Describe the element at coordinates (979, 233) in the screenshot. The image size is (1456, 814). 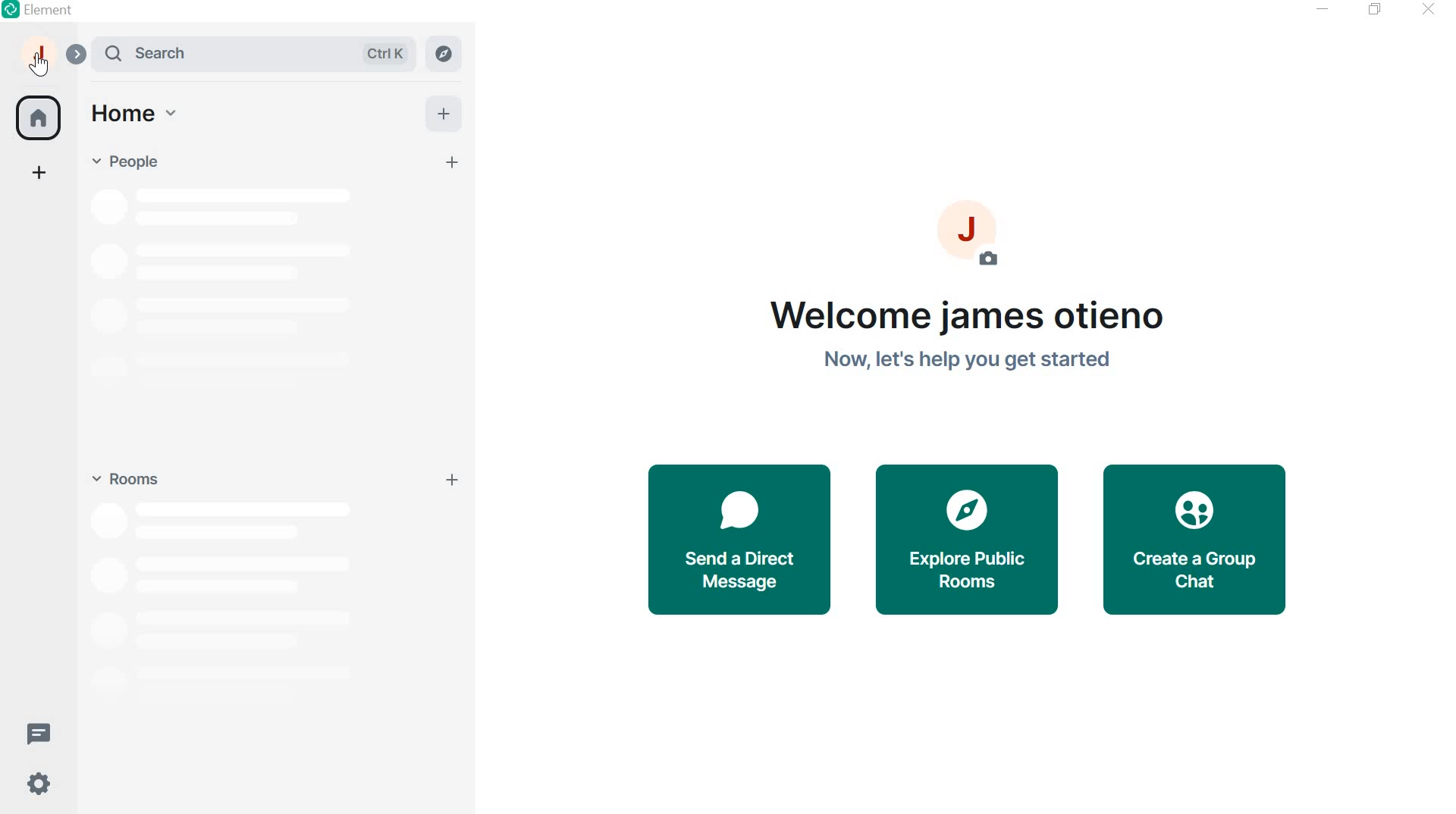
I see `display picture` at that location.